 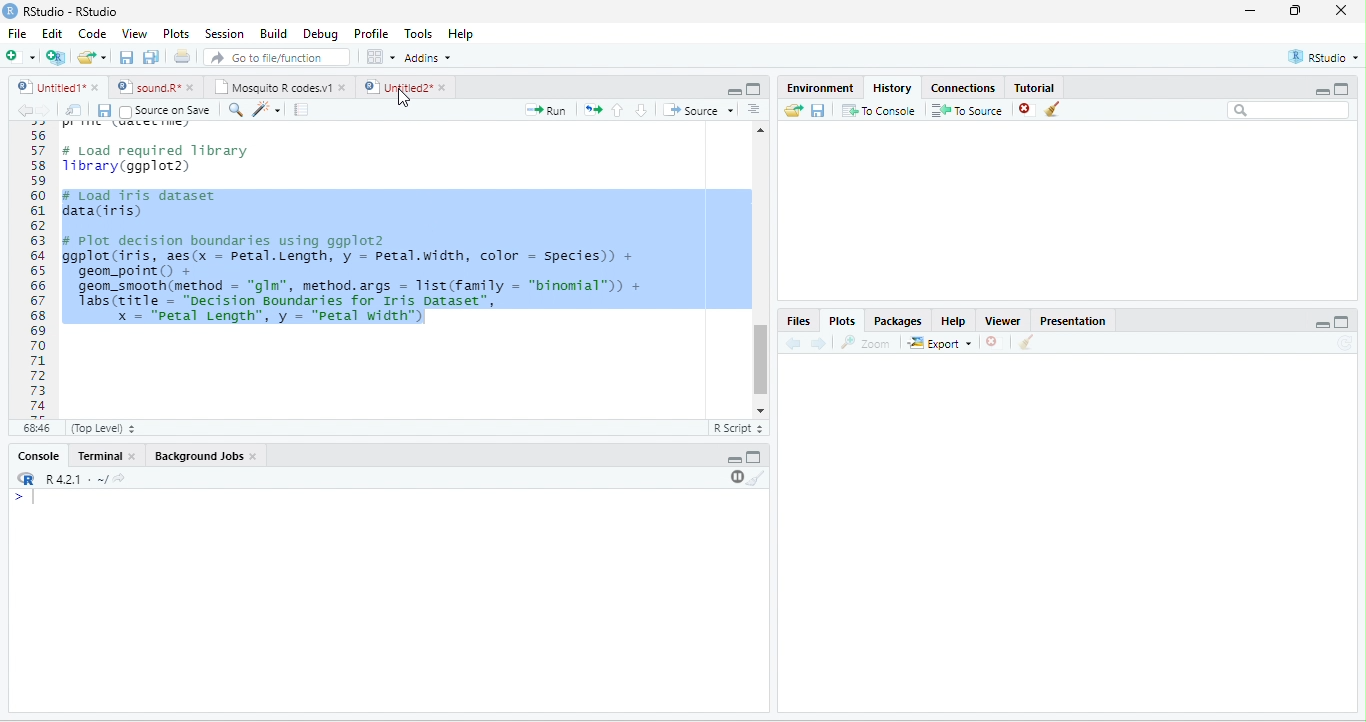 I want to click on scroll down, so click(x=760, y=411).